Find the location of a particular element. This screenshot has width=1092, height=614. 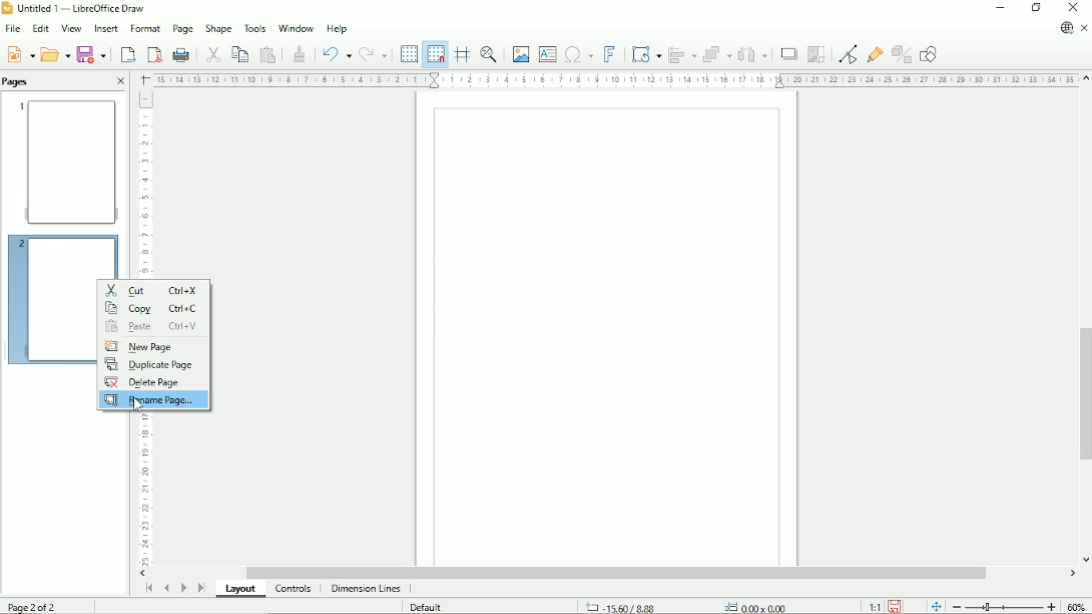

Page is located at coordinates (182, 29).